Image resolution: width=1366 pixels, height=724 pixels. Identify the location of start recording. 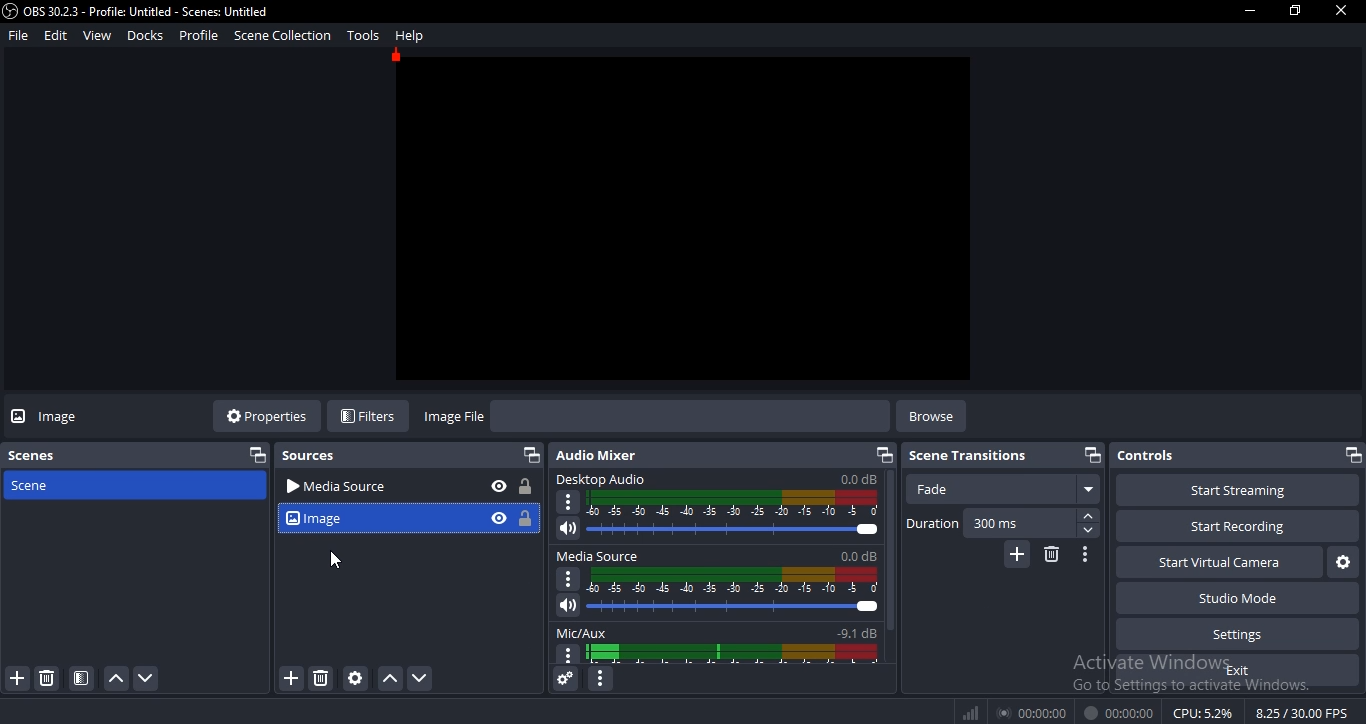
(1229, 527).